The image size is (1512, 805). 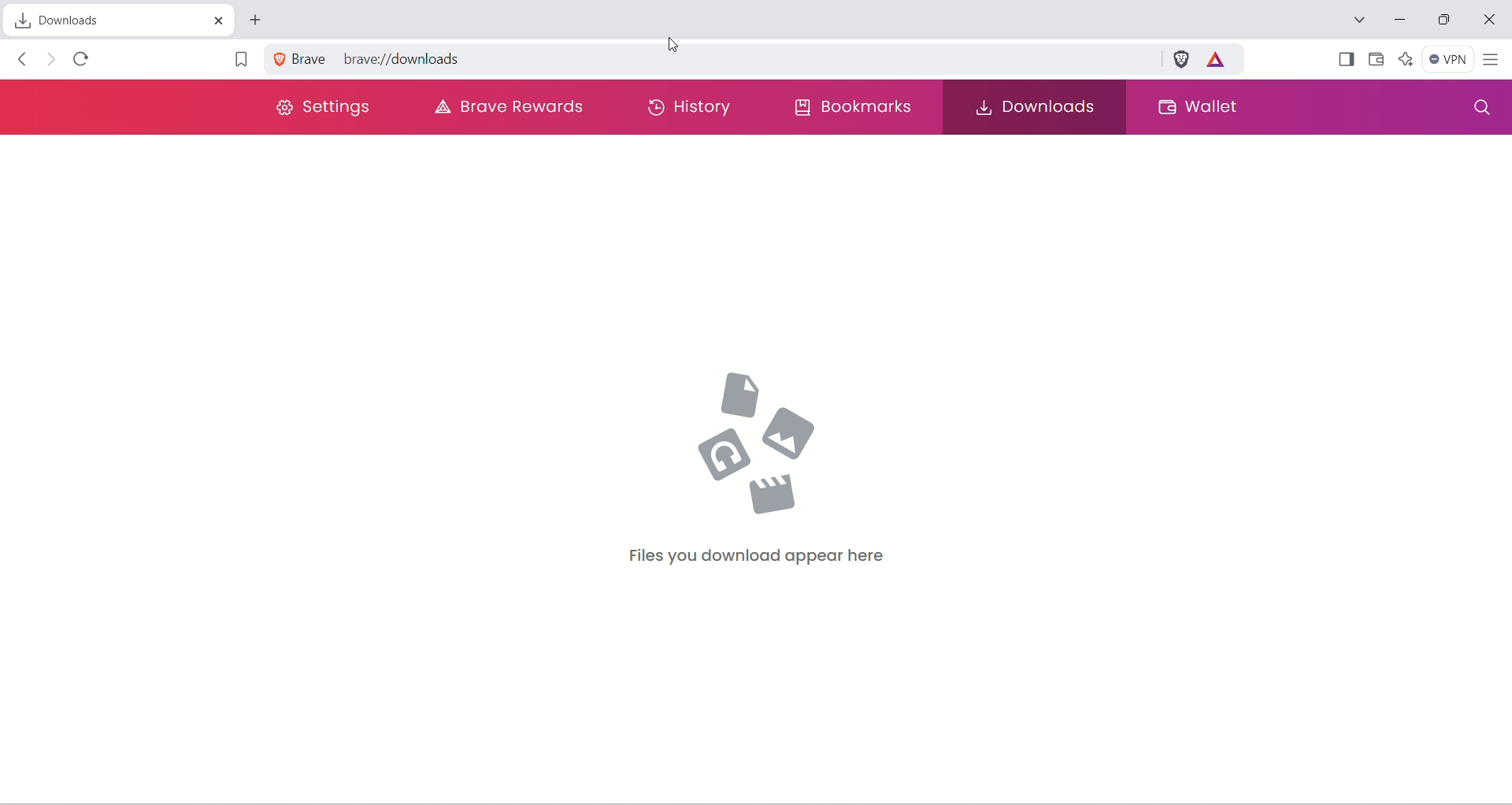 What do you see at coordinates (688, 107) in the screenshot?
I see `history` at bounding box center [688, 107].